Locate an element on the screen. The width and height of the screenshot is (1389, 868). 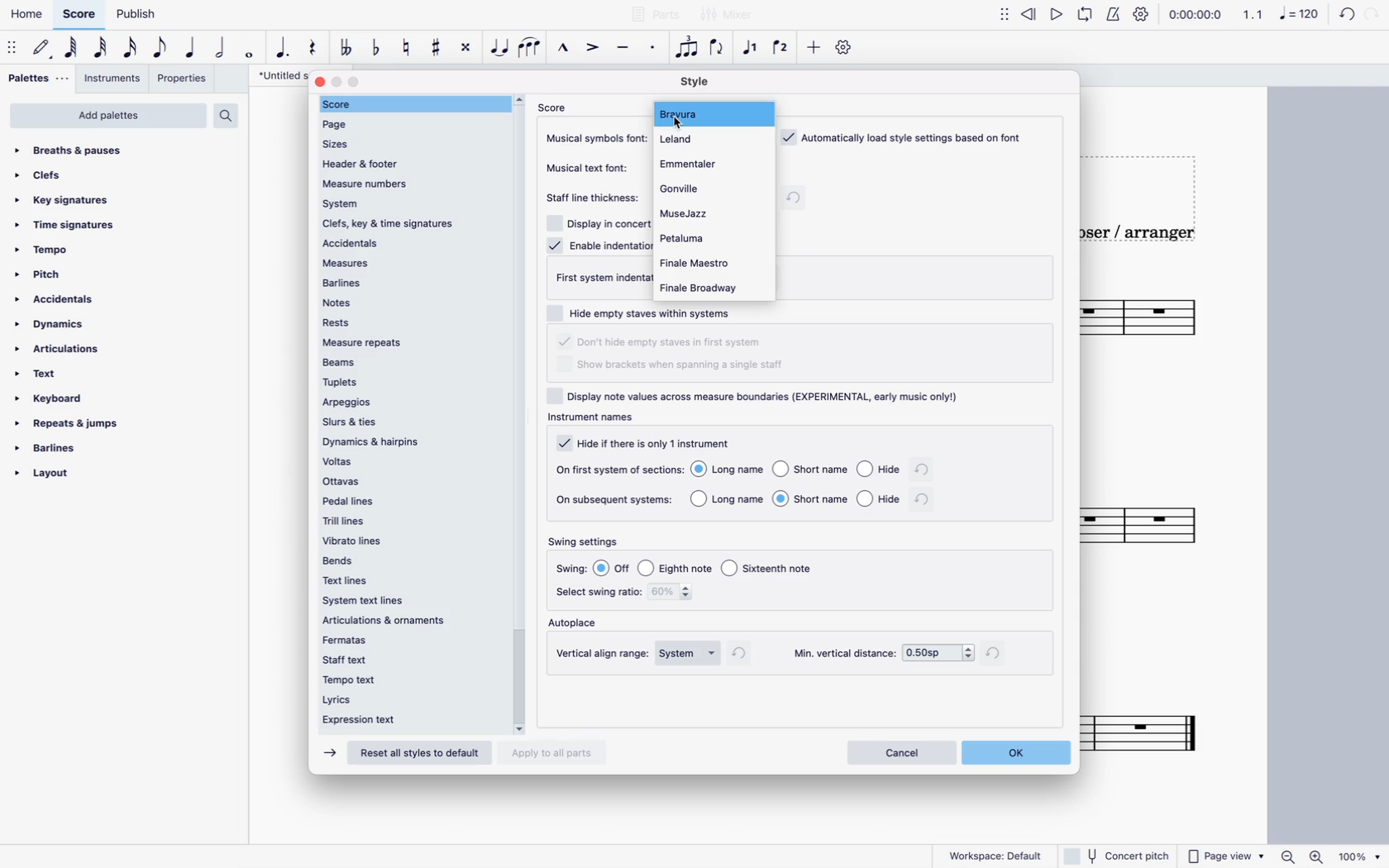
minimize is located at coordinates (337, 82).